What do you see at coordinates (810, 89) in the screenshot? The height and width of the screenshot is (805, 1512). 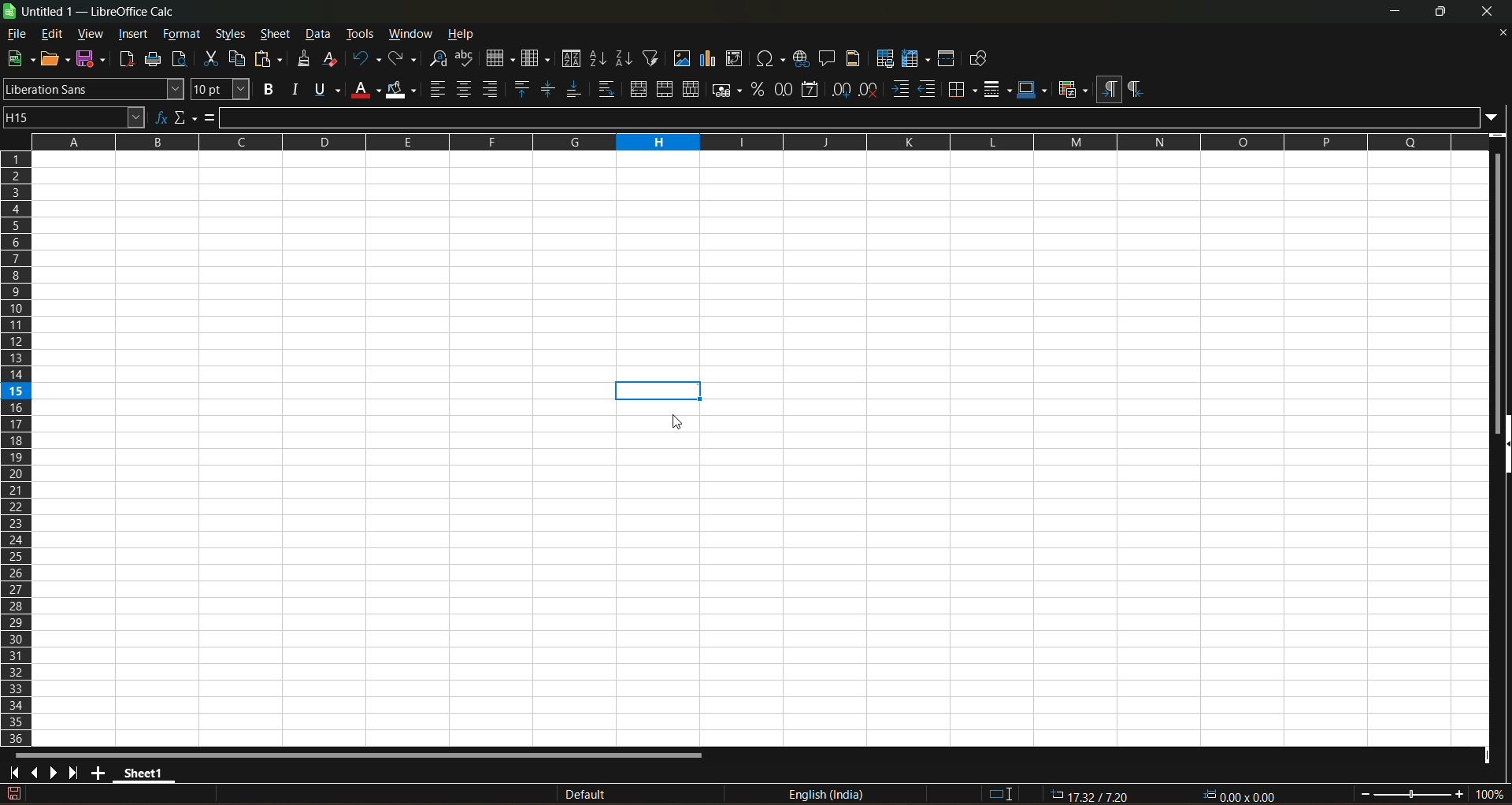 I see `format as date` at bounding box center [810, 89].